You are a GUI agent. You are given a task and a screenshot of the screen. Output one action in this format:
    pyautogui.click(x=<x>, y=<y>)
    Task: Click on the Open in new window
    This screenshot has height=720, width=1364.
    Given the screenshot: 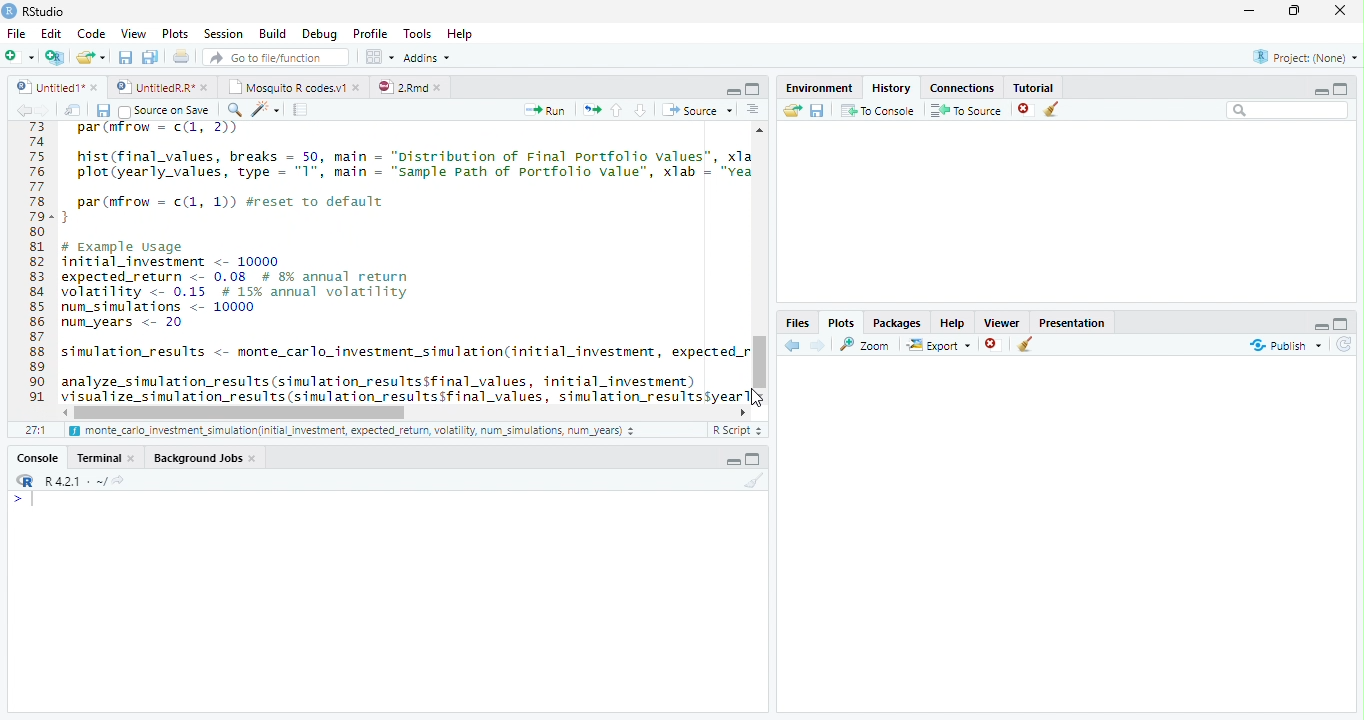 What is the action you would take?
    pyautogui.click(x=73, y=110)
    